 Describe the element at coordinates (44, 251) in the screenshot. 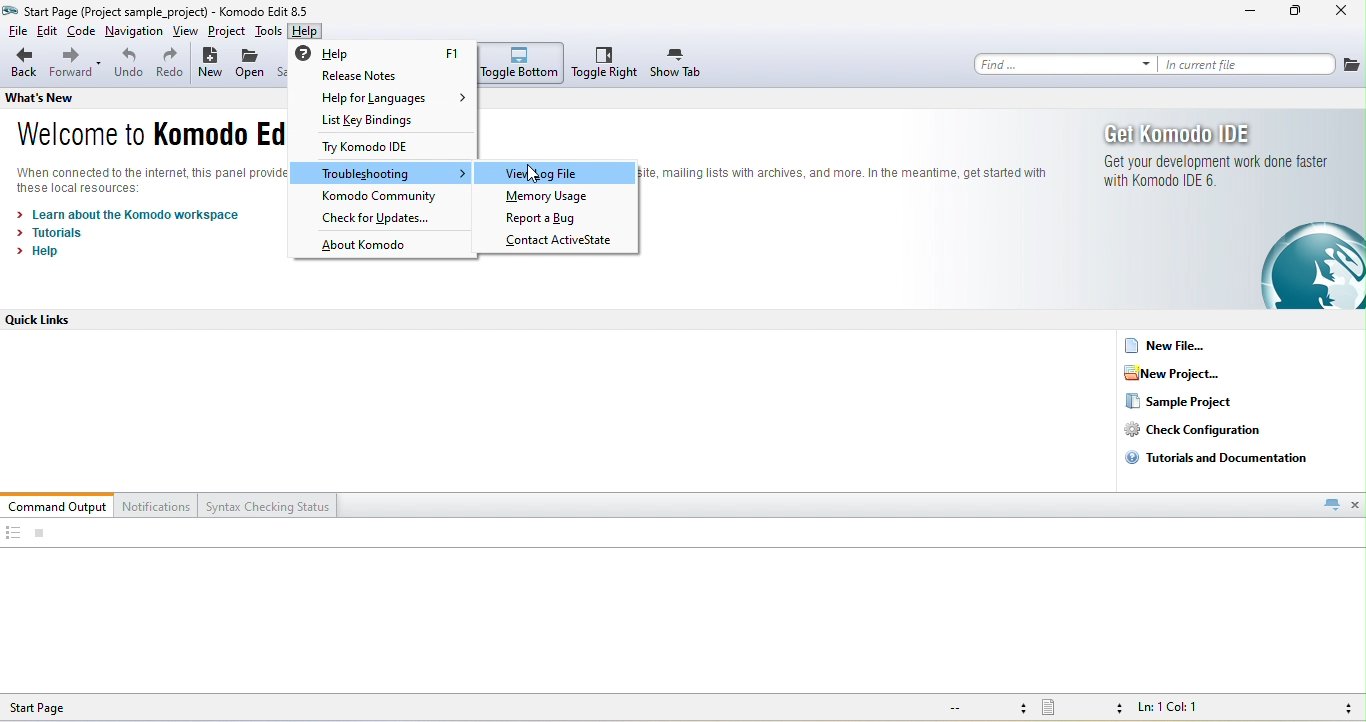

I see `help` at that location.